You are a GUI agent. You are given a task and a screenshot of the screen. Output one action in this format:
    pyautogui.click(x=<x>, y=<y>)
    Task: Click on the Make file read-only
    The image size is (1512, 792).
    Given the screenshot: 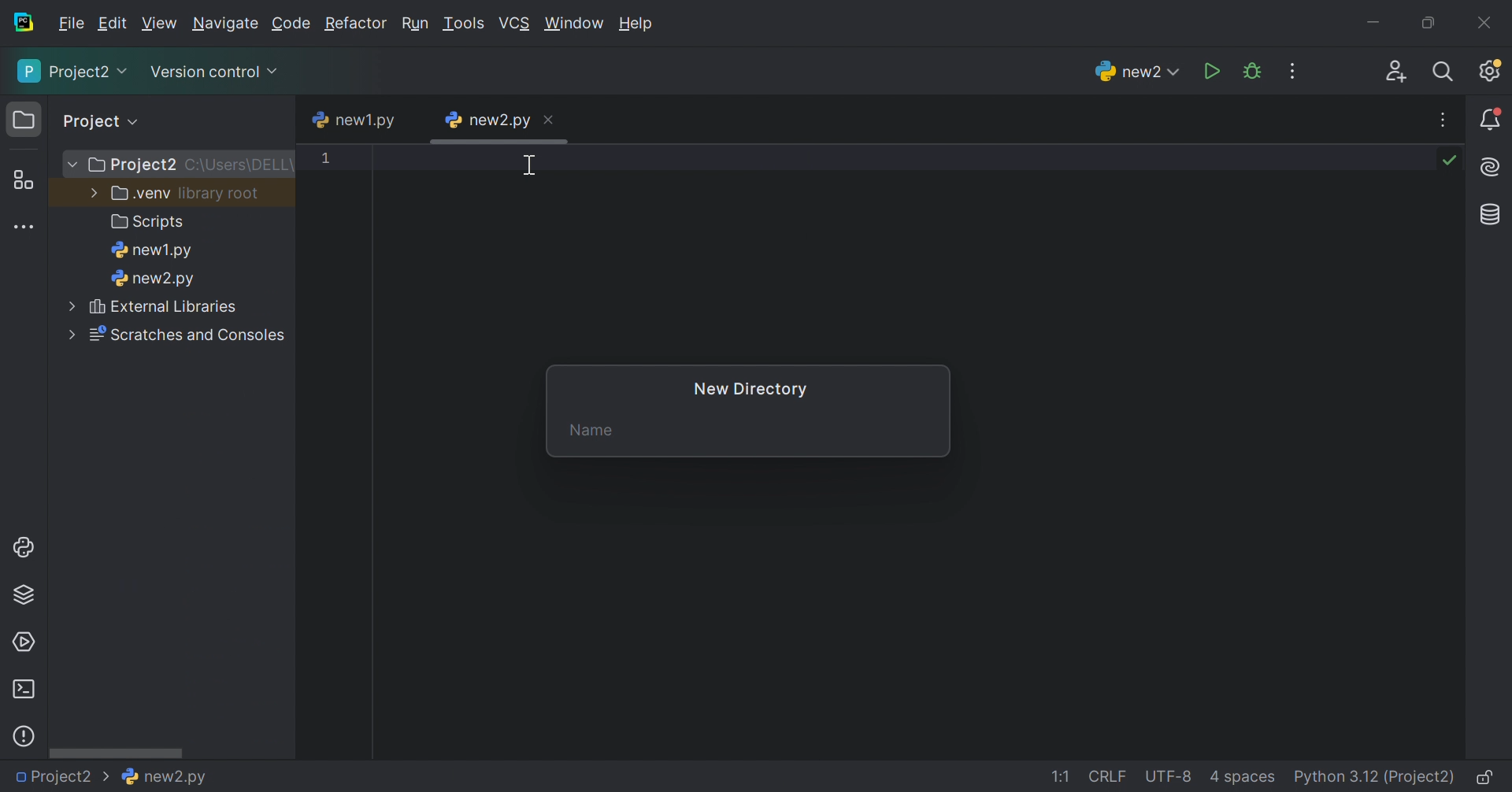 What is the action you would take?
    pyautogui.click(x=1486, y=776)
    